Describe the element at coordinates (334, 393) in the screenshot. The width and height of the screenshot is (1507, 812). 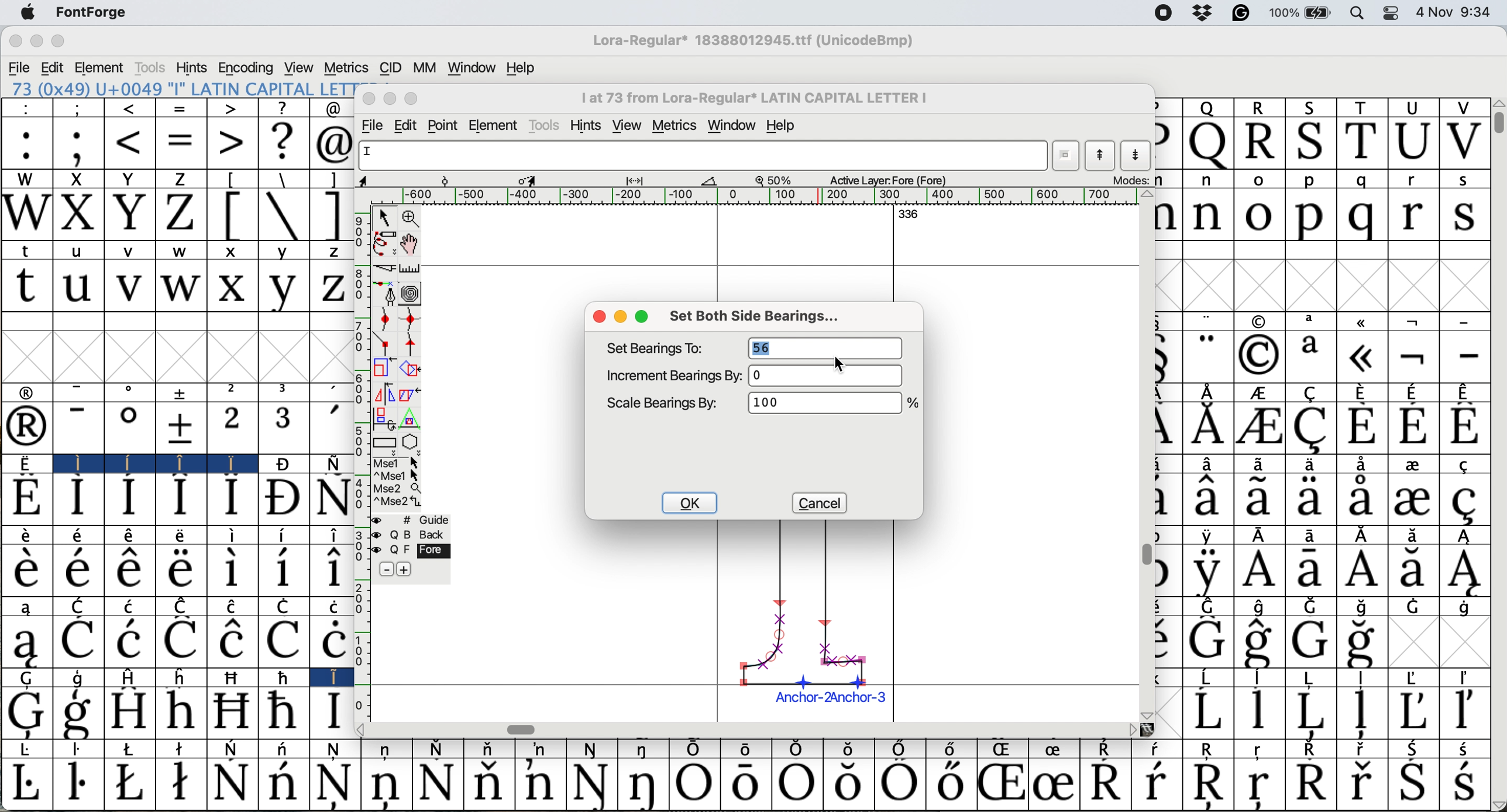
I see `,` at that location.